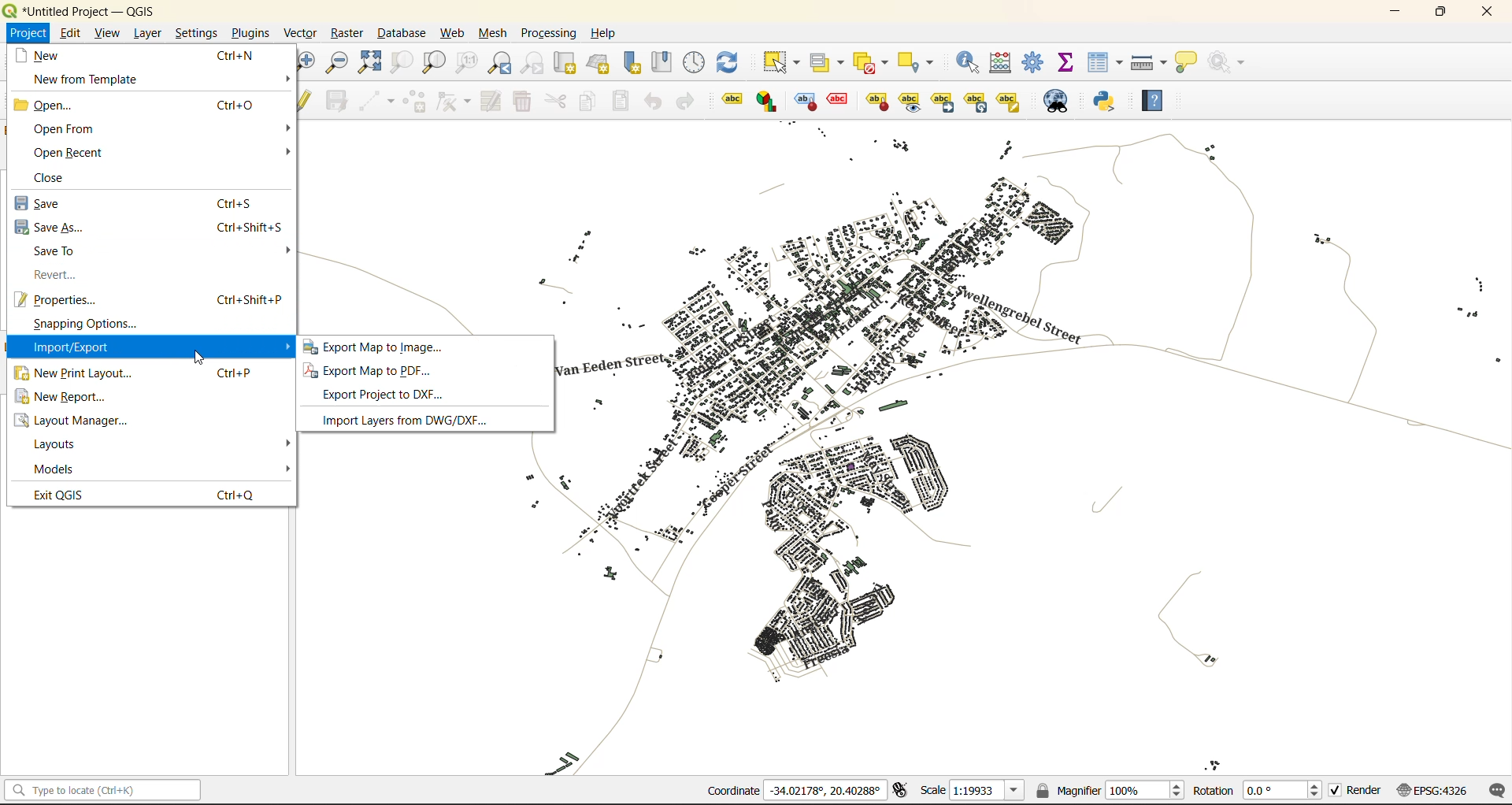 This screenshot has height=805, width=1512. Describe the element at coordinates (198, 34) in the screenshot. I see `settings` at that location.